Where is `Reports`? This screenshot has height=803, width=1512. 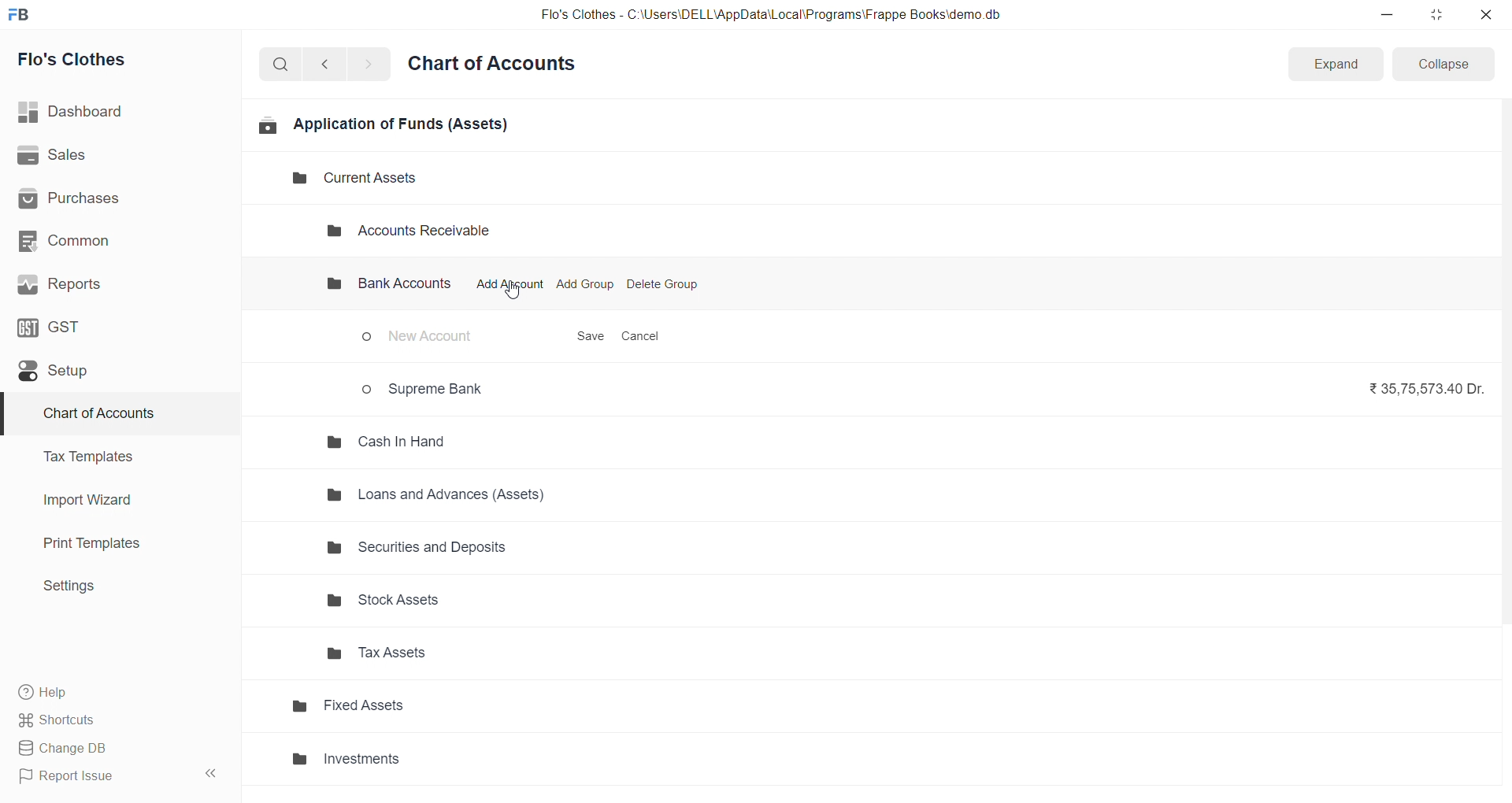 Reports is located at coordinates (113, 284).